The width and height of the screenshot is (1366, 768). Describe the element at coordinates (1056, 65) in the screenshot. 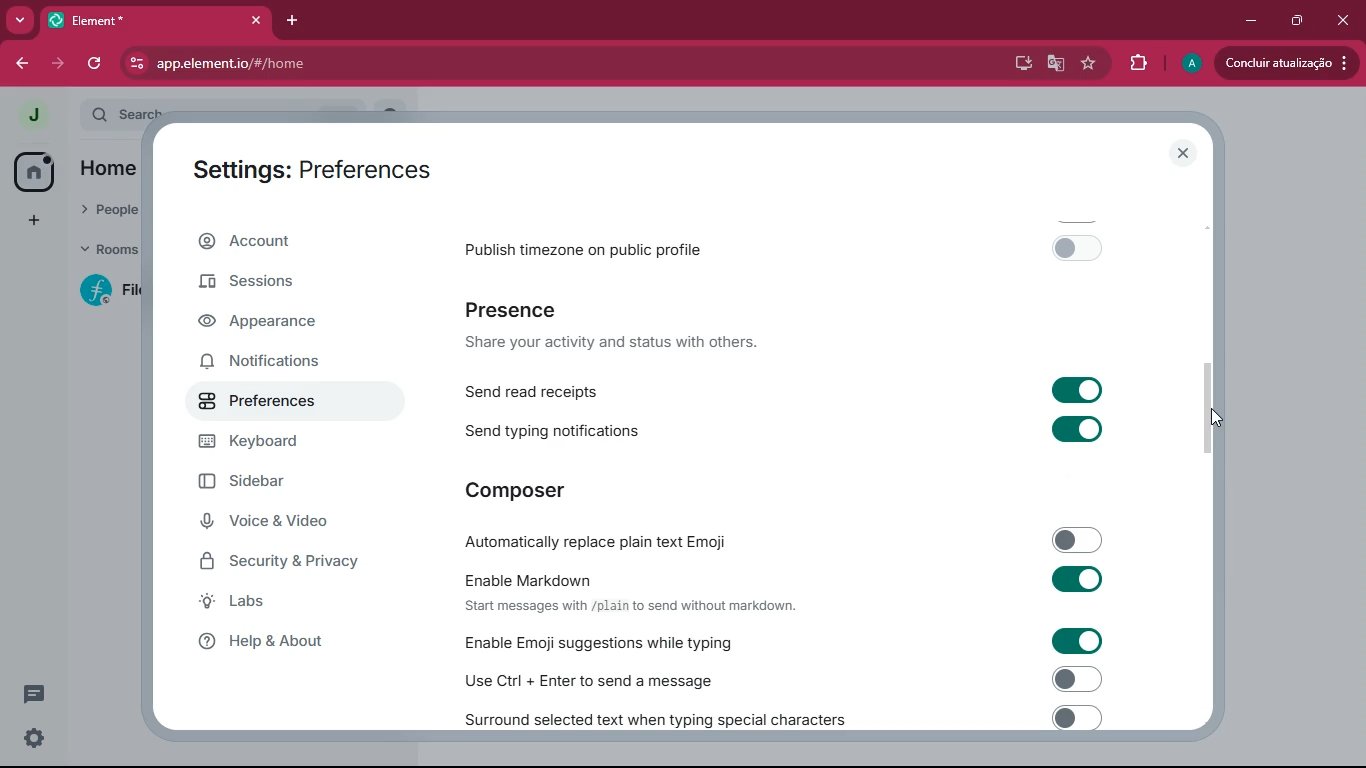

I see `google translate` at that location.